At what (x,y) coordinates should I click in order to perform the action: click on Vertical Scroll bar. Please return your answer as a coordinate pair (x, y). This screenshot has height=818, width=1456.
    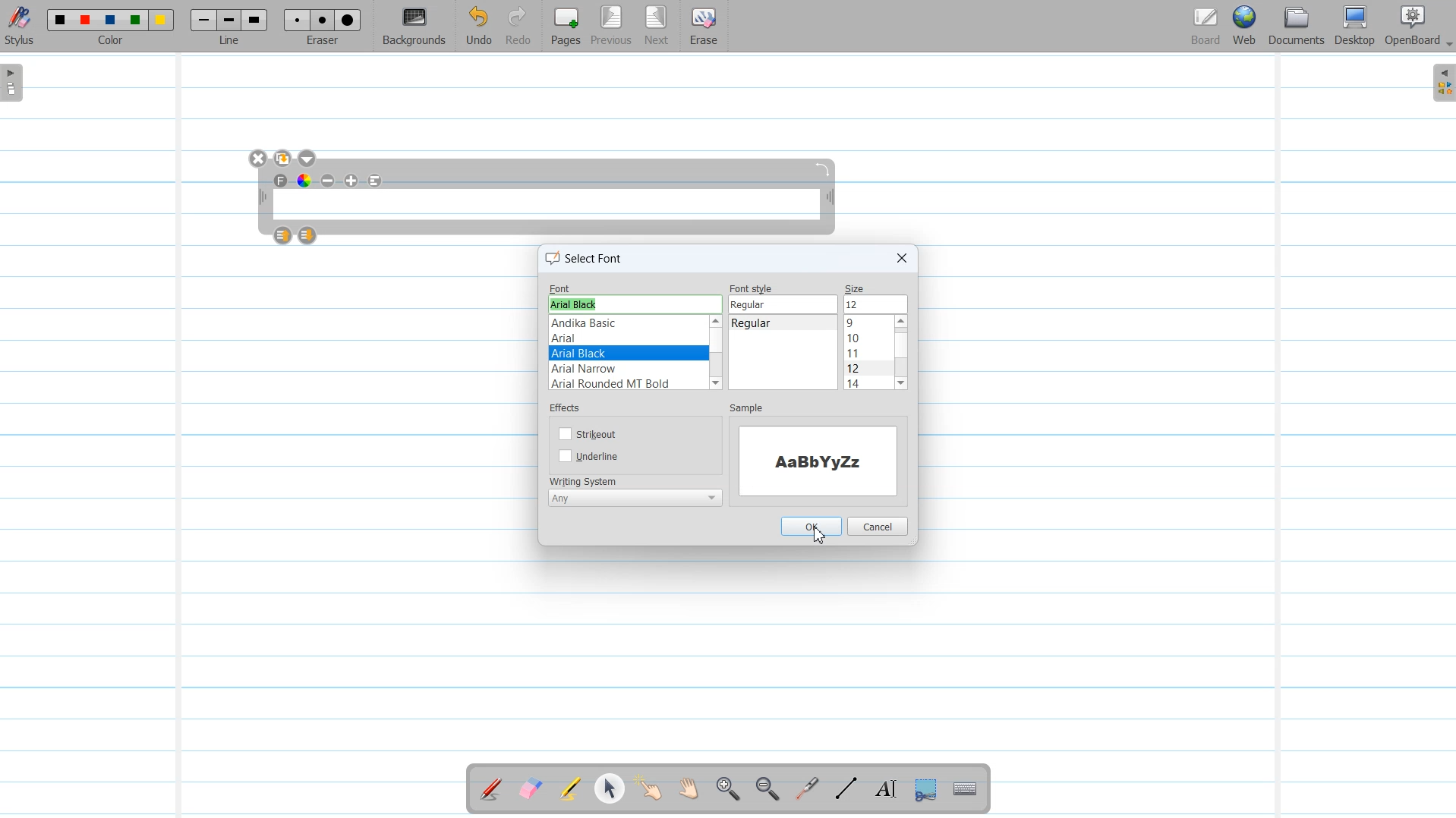
    Looking at the image, I should click on (717, 354).